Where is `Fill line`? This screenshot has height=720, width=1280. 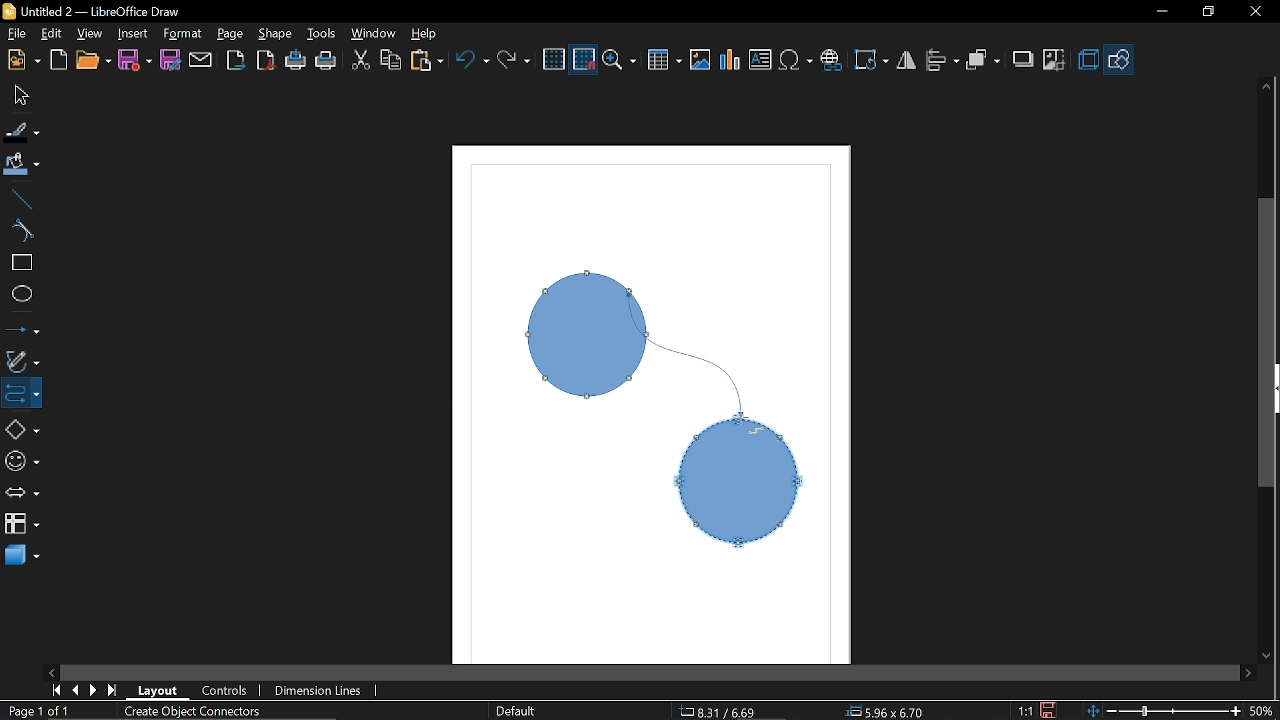 Fill line is located at coordinates (23, 132).